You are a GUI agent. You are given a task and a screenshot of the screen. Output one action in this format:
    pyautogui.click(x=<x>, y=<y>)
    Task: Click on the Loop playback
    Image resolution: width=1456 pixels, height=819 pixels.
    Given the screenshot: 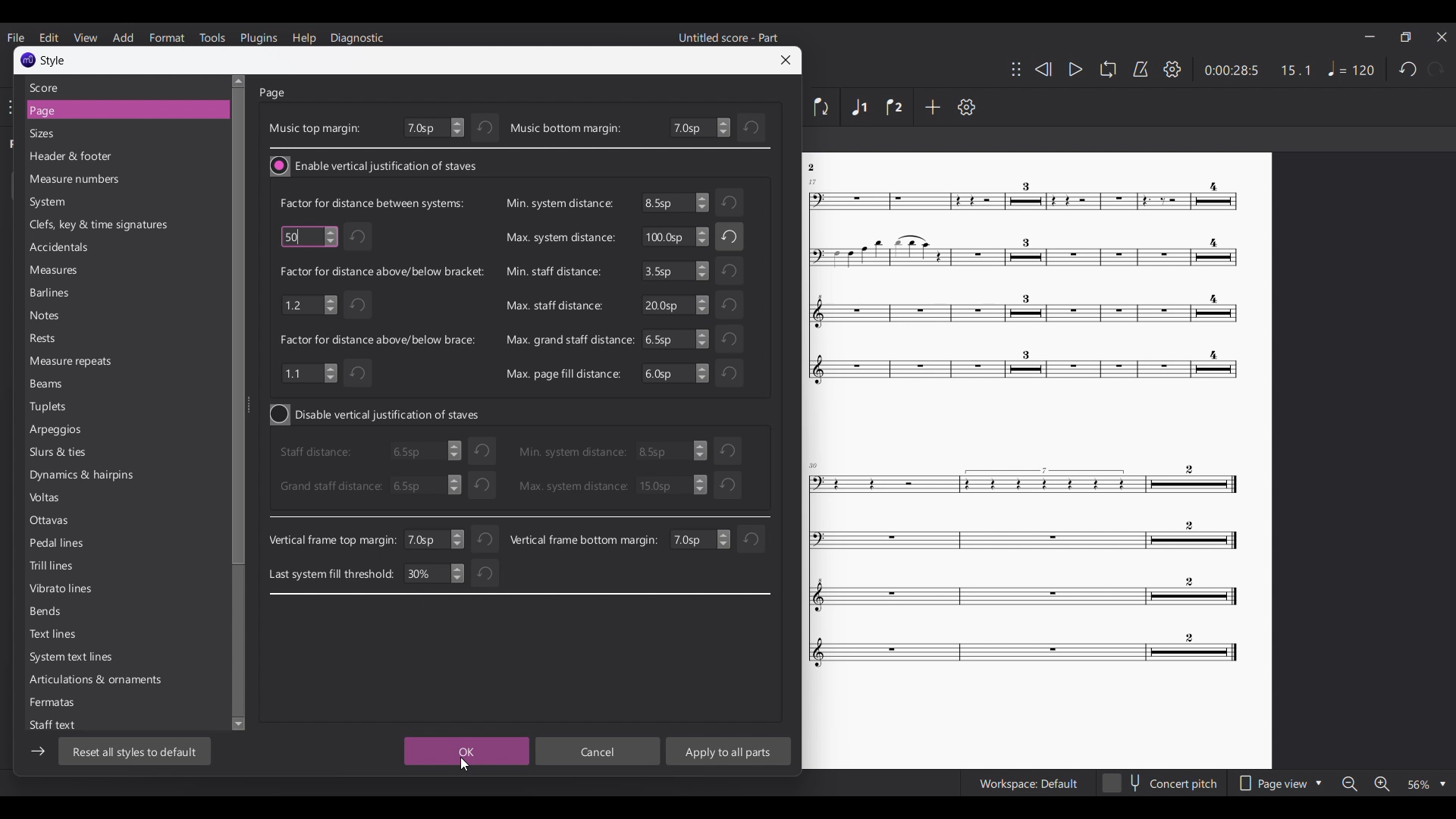 What is the action you would take?
    pyautogui.click(x=1108, y=69)
    